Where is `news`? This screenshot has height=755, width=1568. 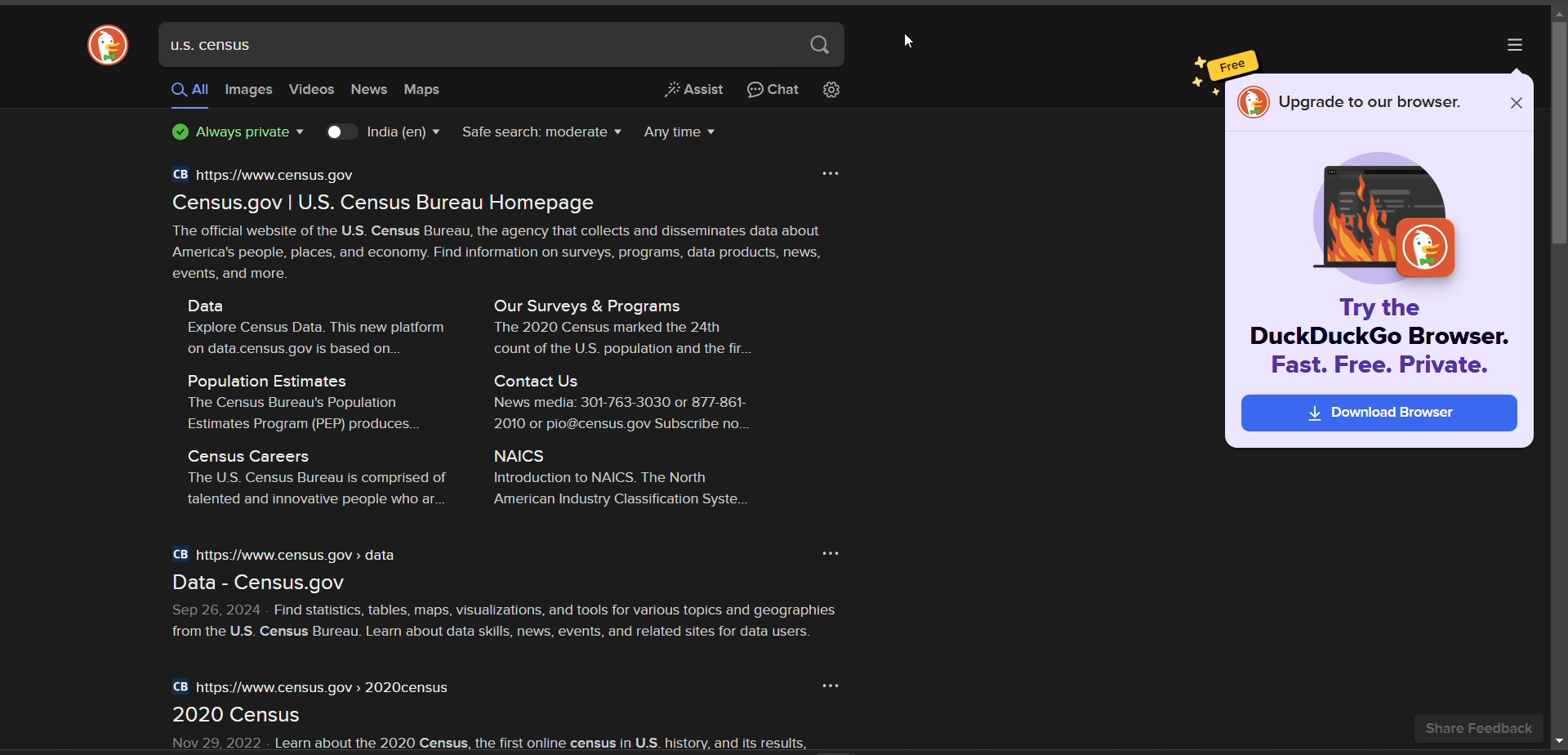 news is located at coordinates (371, 91).